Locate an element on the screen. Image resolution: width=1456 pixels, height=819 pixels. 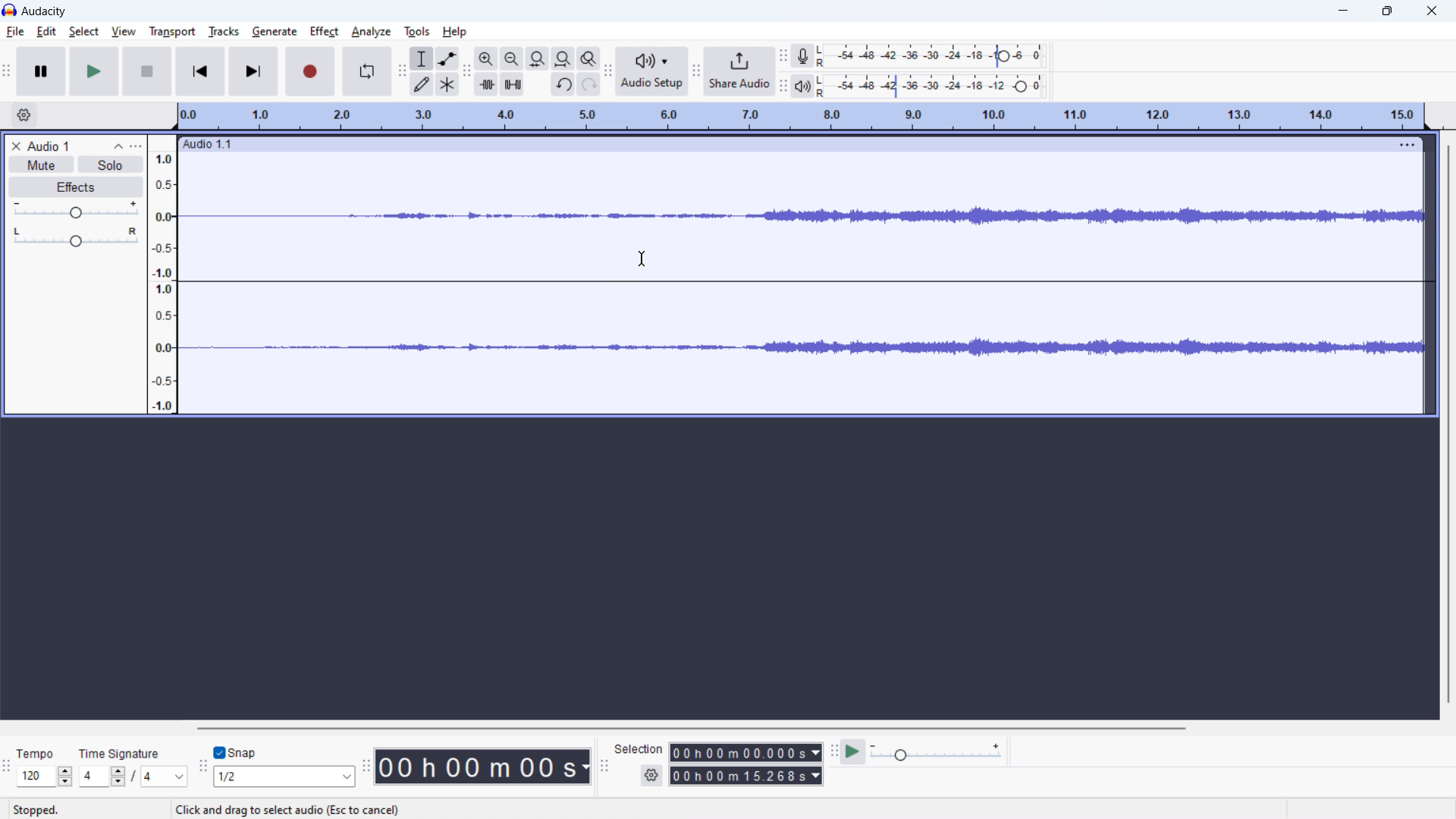
waveform is located at coordinates (804, 216).